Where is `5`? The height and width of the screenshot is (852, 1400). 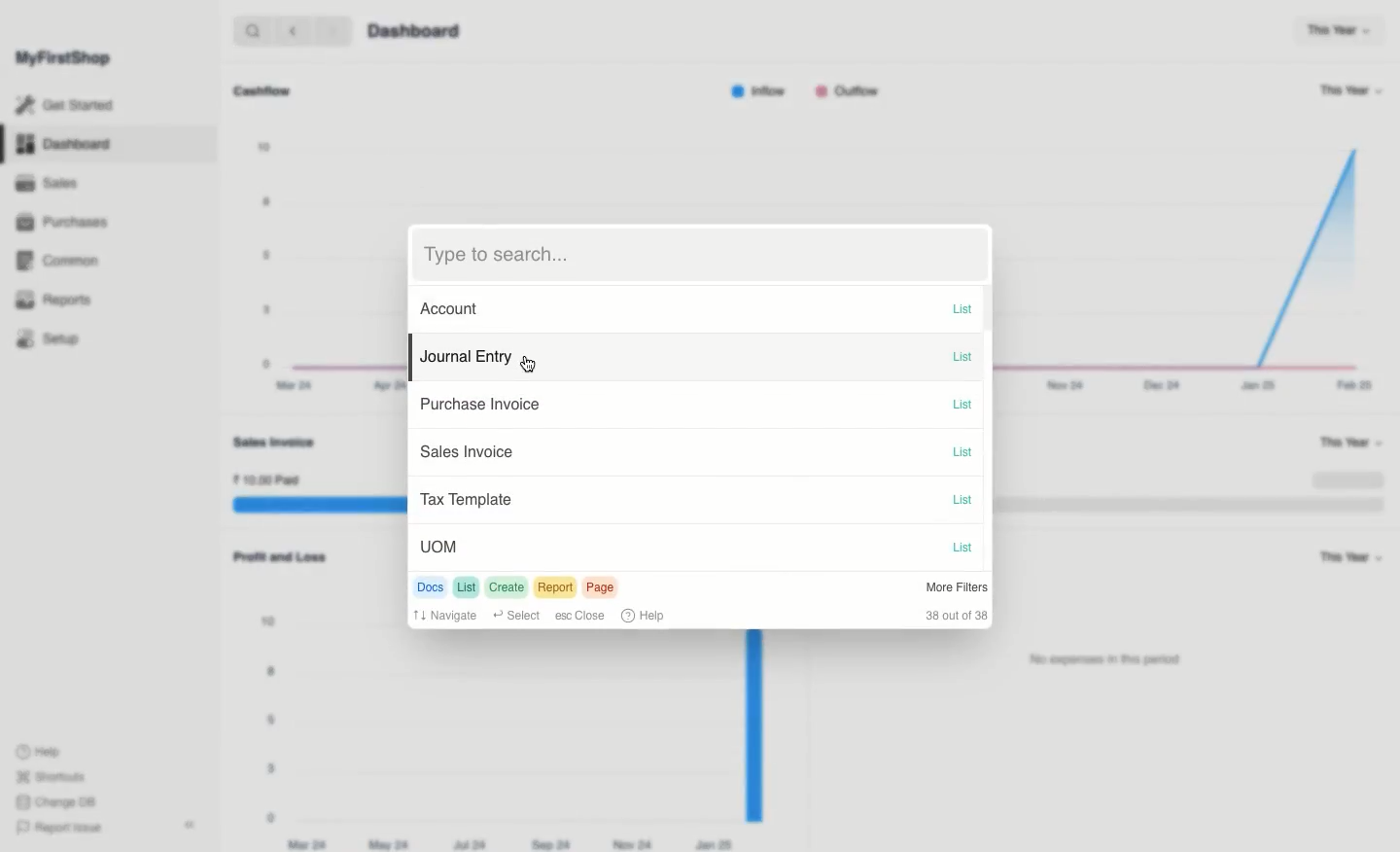
5 is located at coordinates (269, 722).